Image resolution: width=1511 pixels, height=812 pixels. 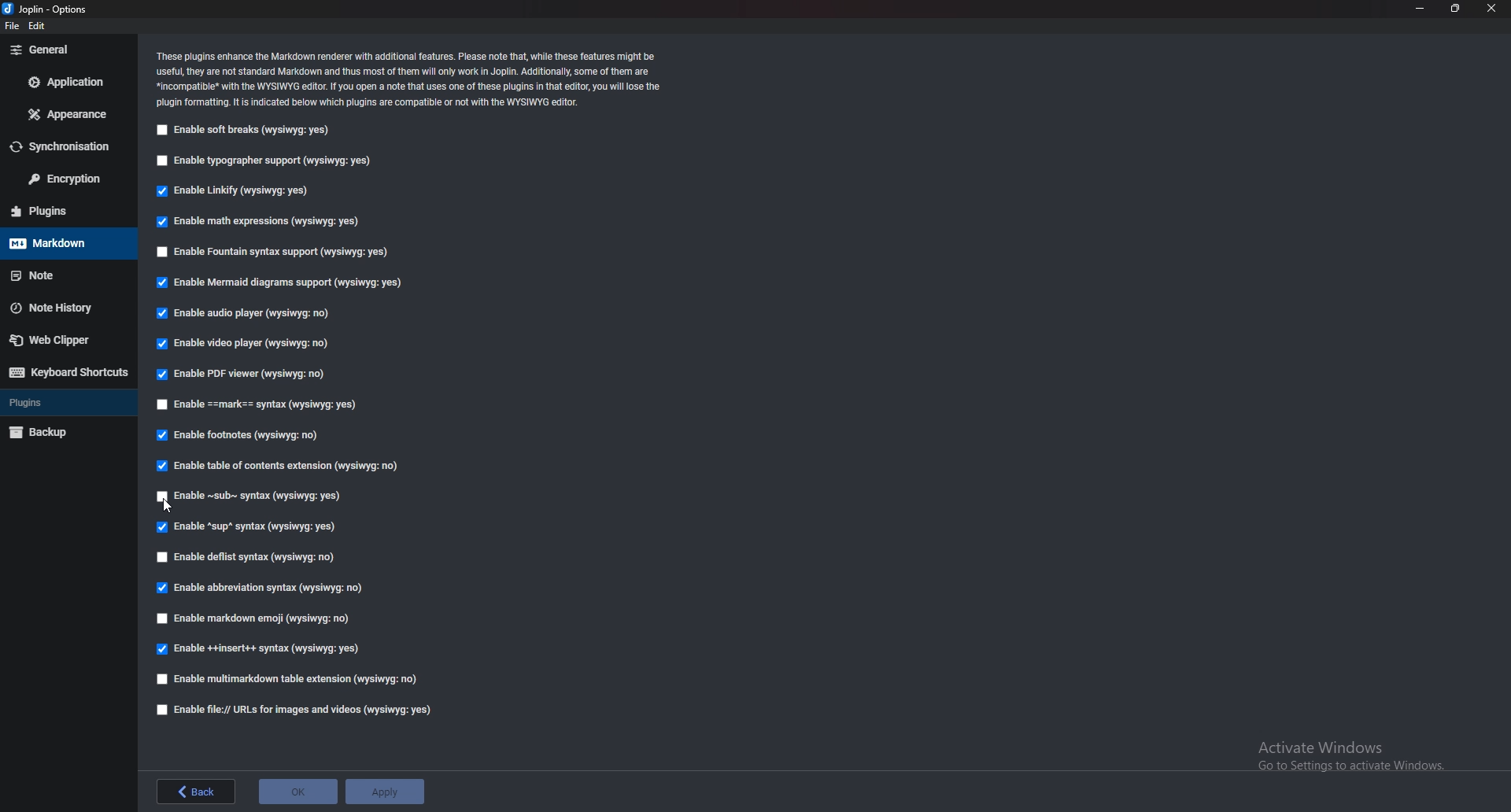 What do you see at coordinates (63, 433) in the screenshot?
I see `Backup` at bounding box center [63, 433].